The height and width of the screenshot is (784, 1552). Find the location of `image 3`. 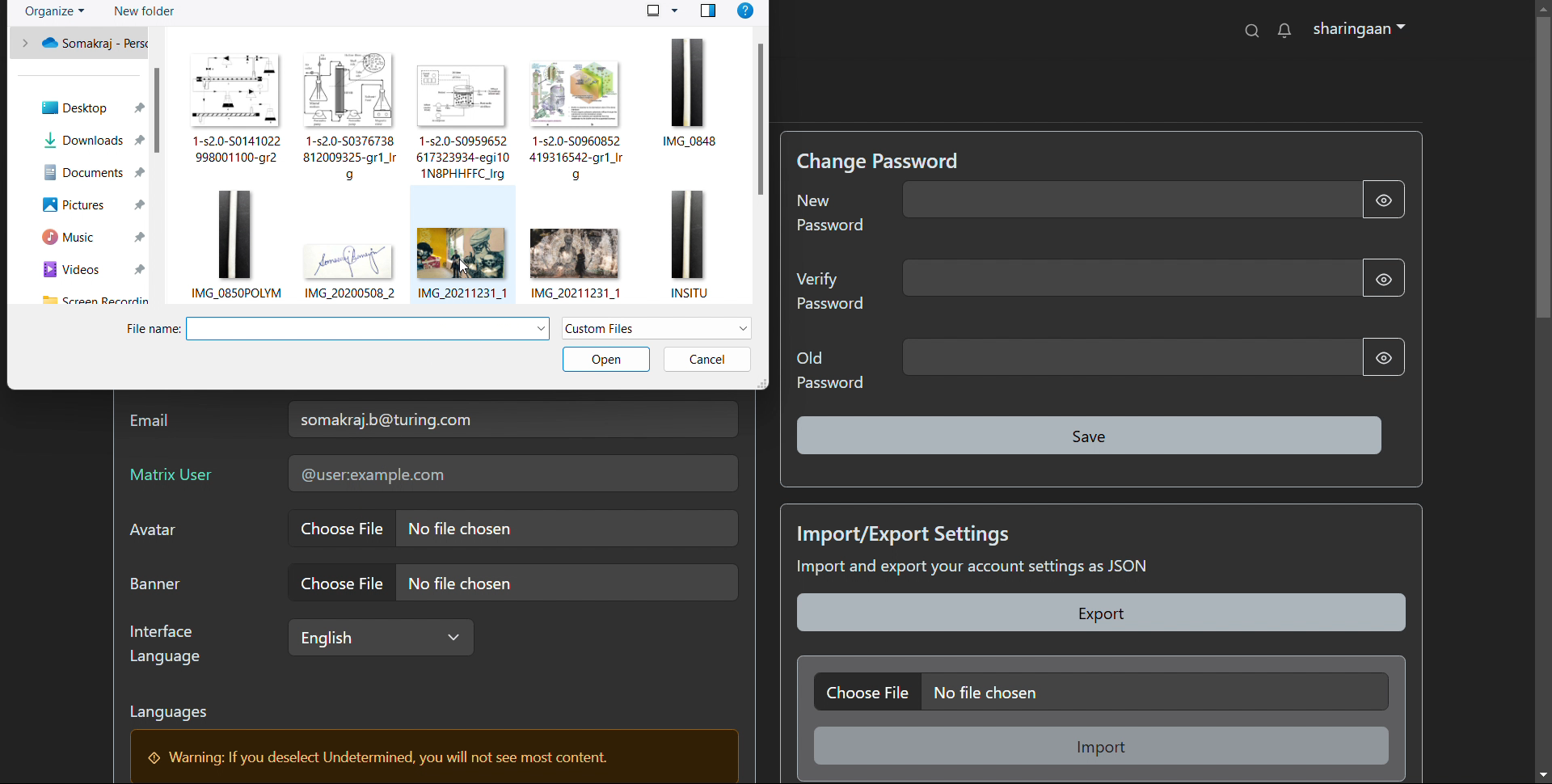

image 3 is located at coordinates (465, 123).